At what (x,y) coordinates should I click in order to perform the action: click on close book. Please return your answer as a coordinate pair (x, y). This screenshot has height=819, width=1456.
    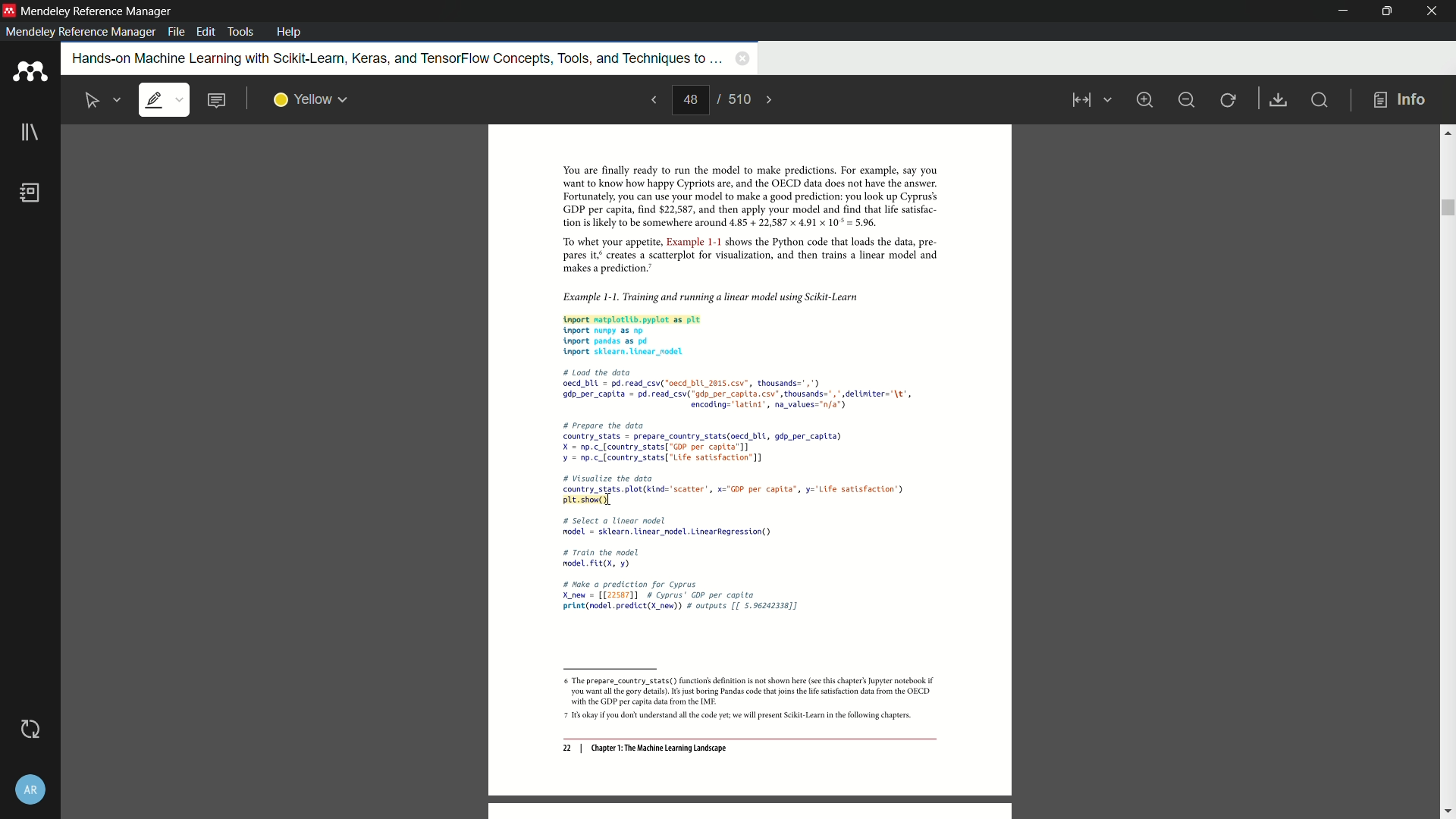
    Looking at the image, I should click on (742, 58).